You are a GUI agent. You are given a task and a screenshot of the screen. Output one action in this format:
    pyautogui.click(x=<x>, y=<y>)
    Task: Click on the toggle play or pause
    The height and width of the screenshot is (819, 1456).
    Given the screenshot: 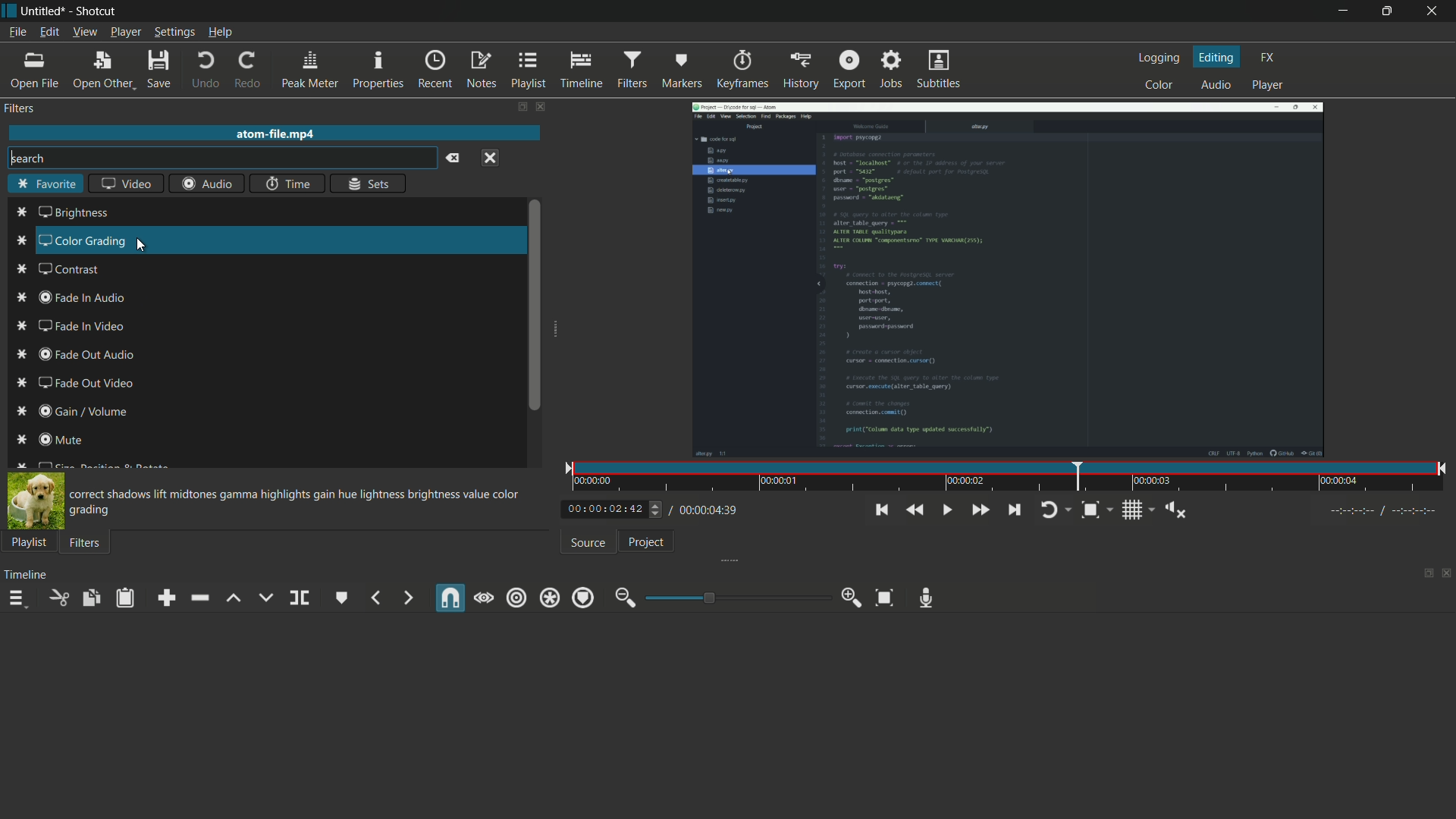 What is the action you would take?
    pyautogui.click(x=948, y=510)
    